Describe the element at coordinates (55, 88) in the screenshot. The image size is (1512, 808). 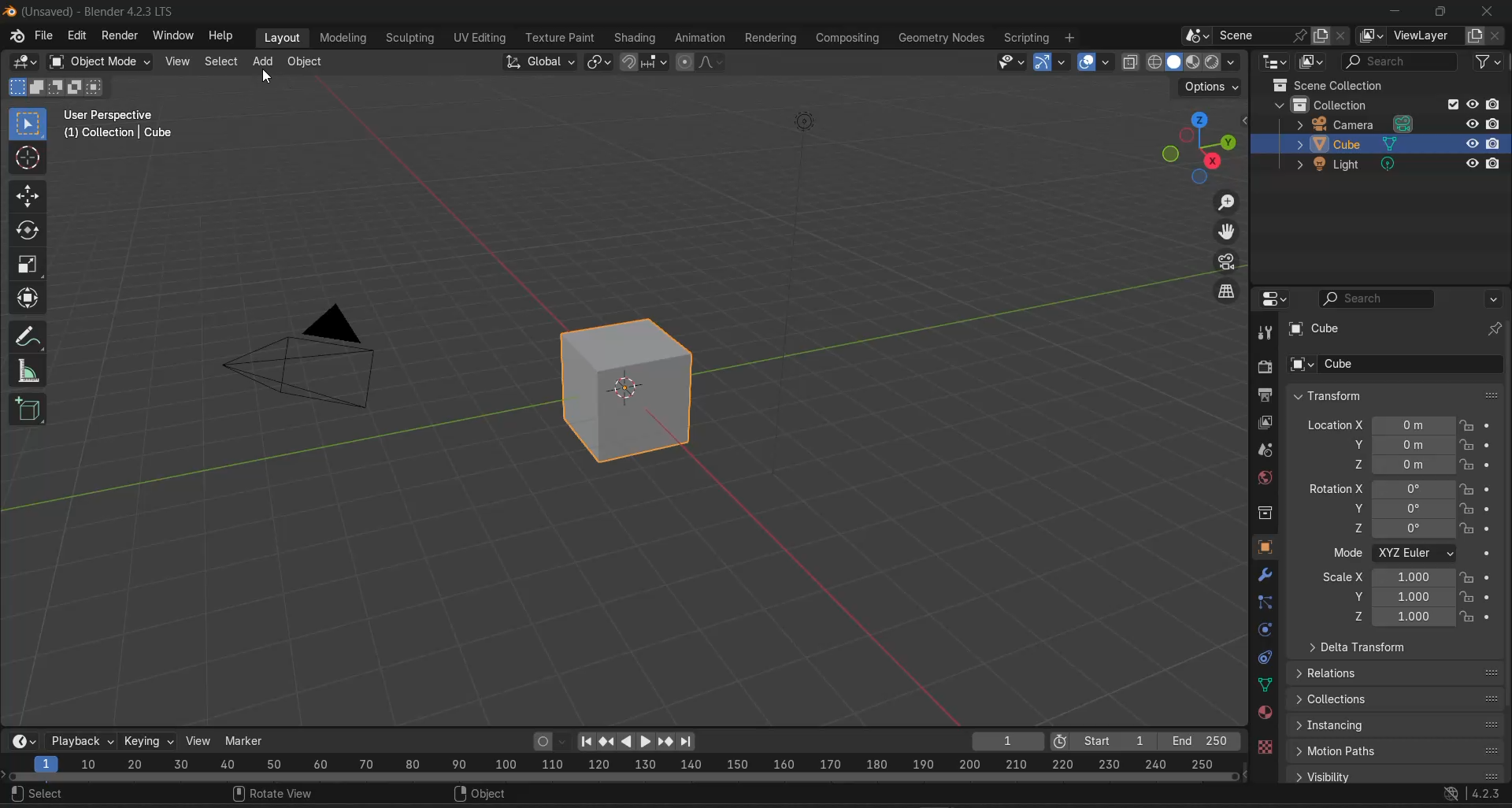
I see `mode: subtract existing selection` at that location.